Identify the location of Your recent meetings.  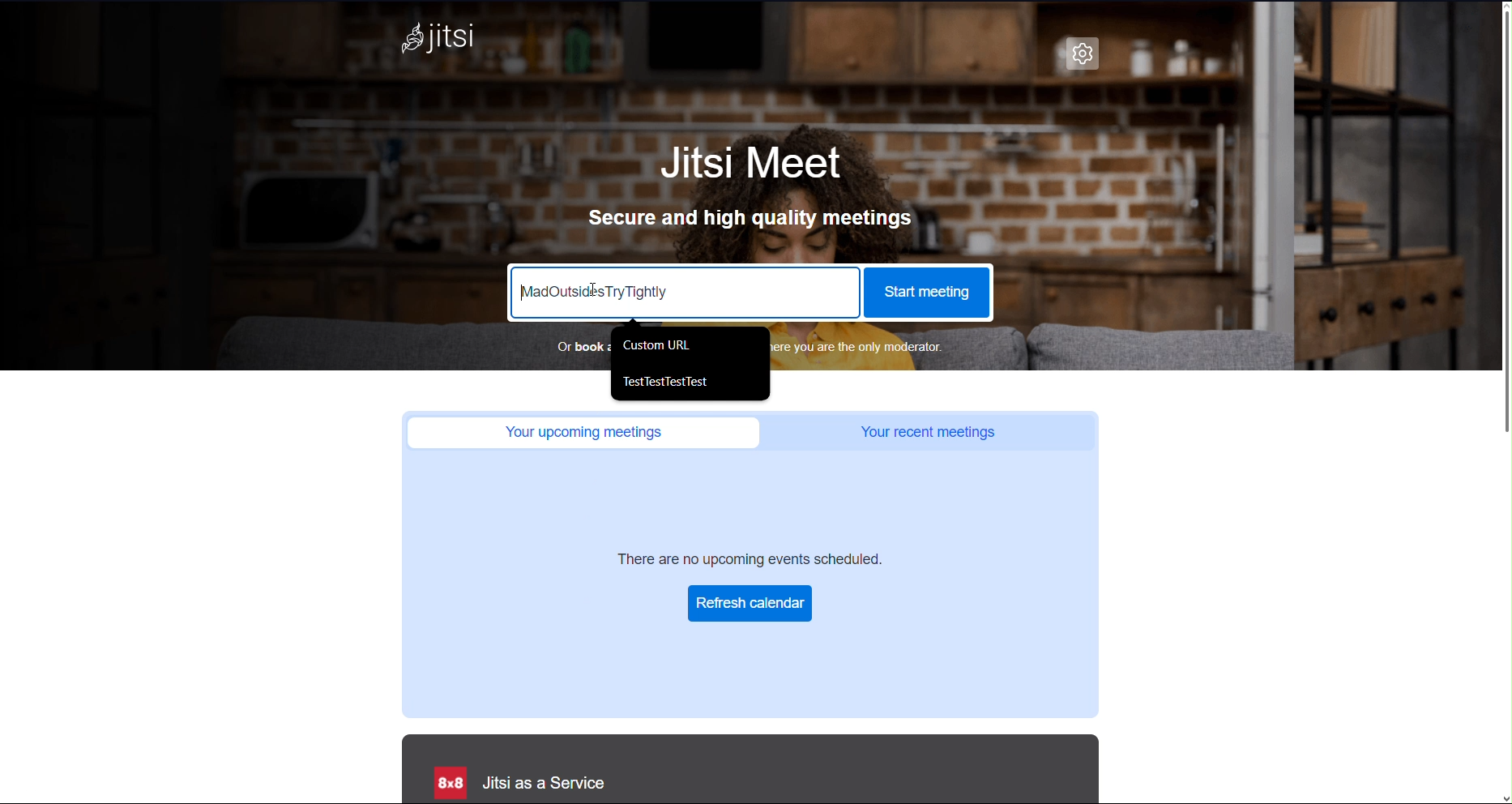
(929, 431).